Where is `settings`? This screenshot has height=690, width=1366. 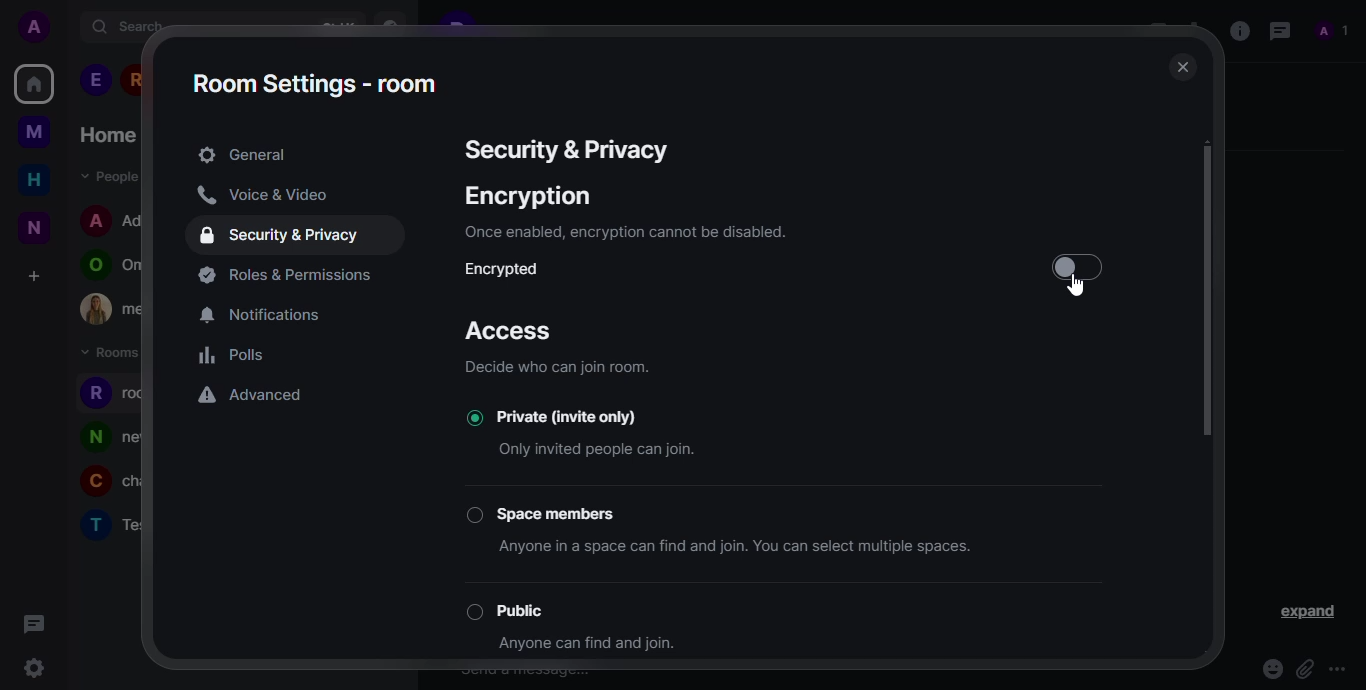
settings is located at coordinates (34, 667).